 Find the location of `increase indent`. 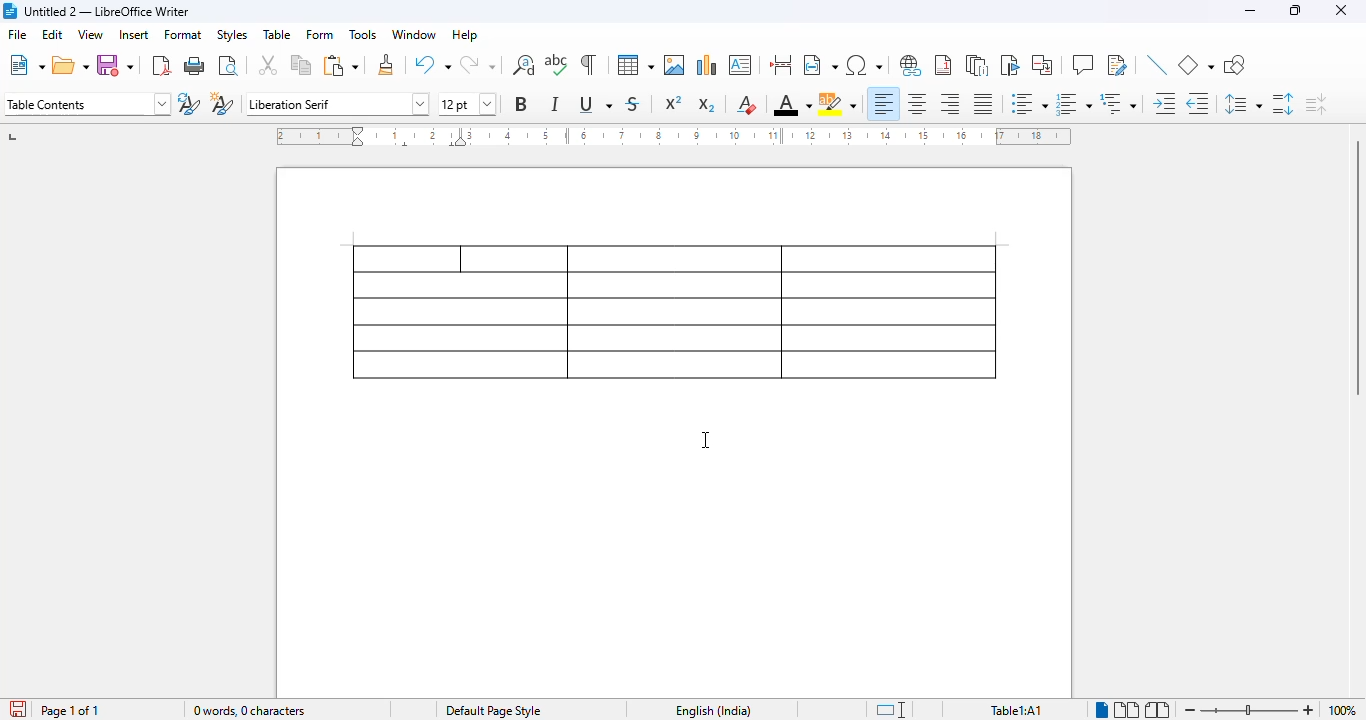

increase indent is located at coordinates (1165, 103).